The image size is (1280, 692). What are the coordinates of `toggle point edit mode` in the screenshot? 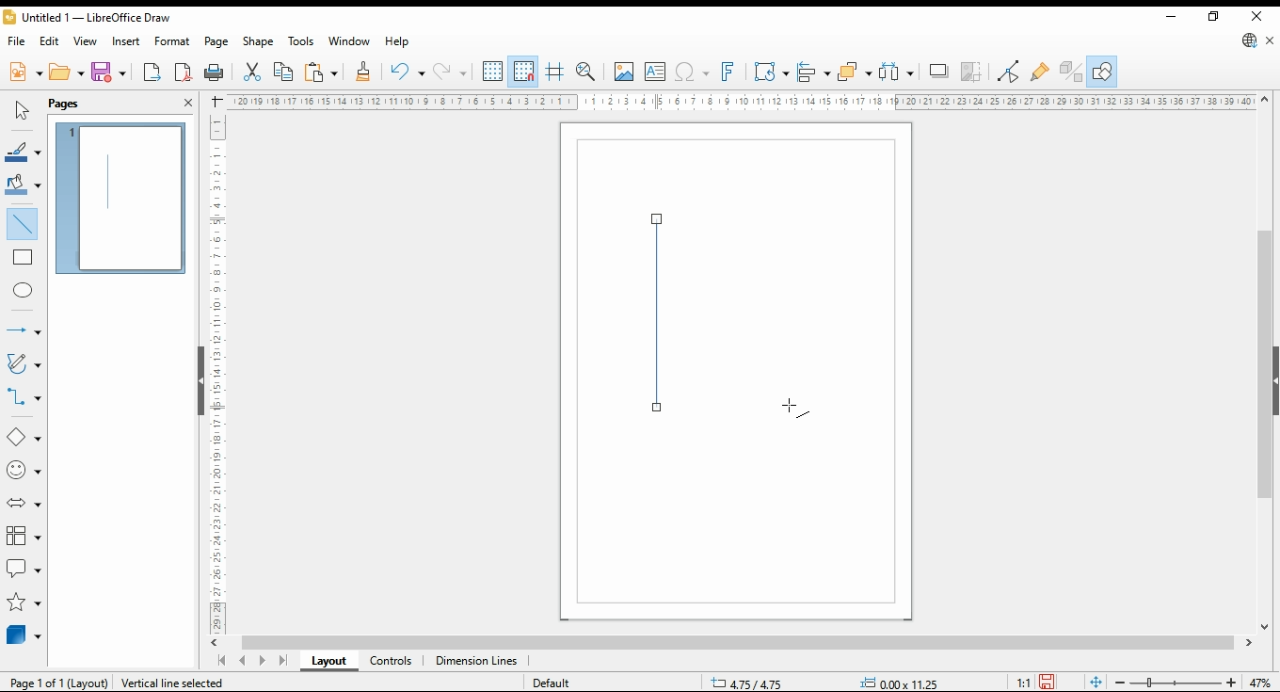 It's located at (1010, 71).